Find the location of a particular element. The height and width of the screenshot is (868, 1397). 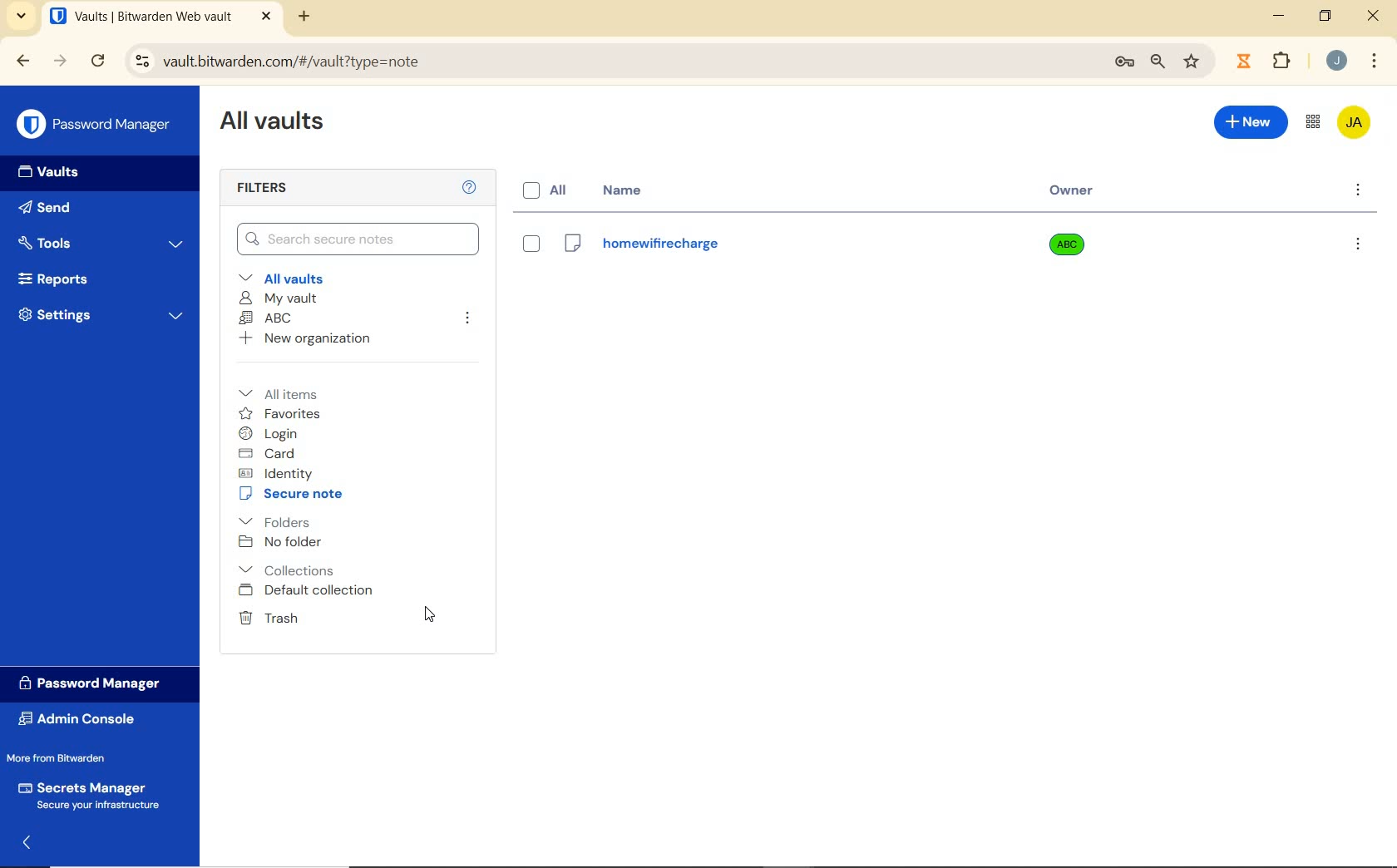

Collections is located at coordinates (290, 570).